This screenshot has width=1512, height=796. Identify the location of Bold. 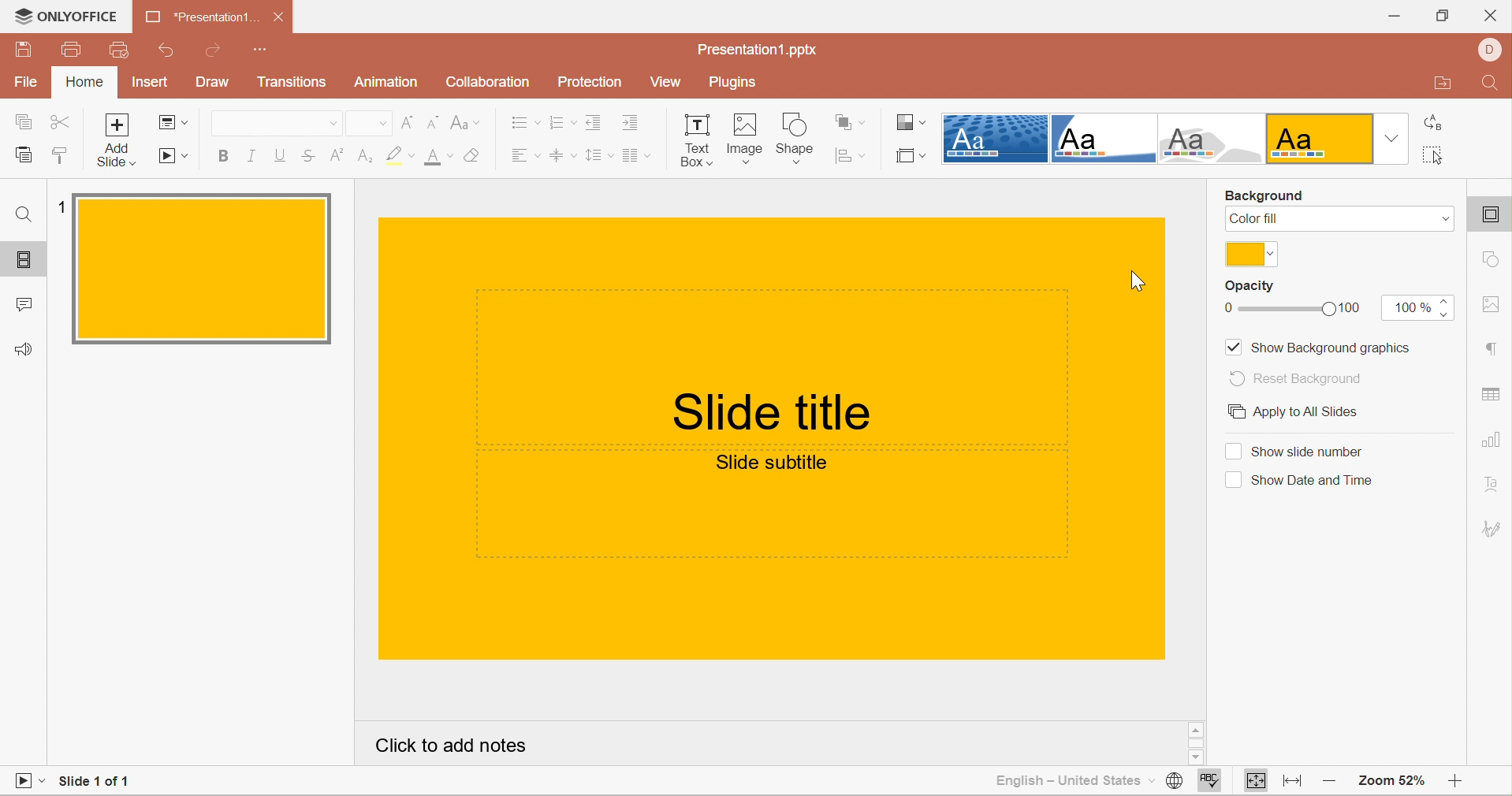
(226, 154).